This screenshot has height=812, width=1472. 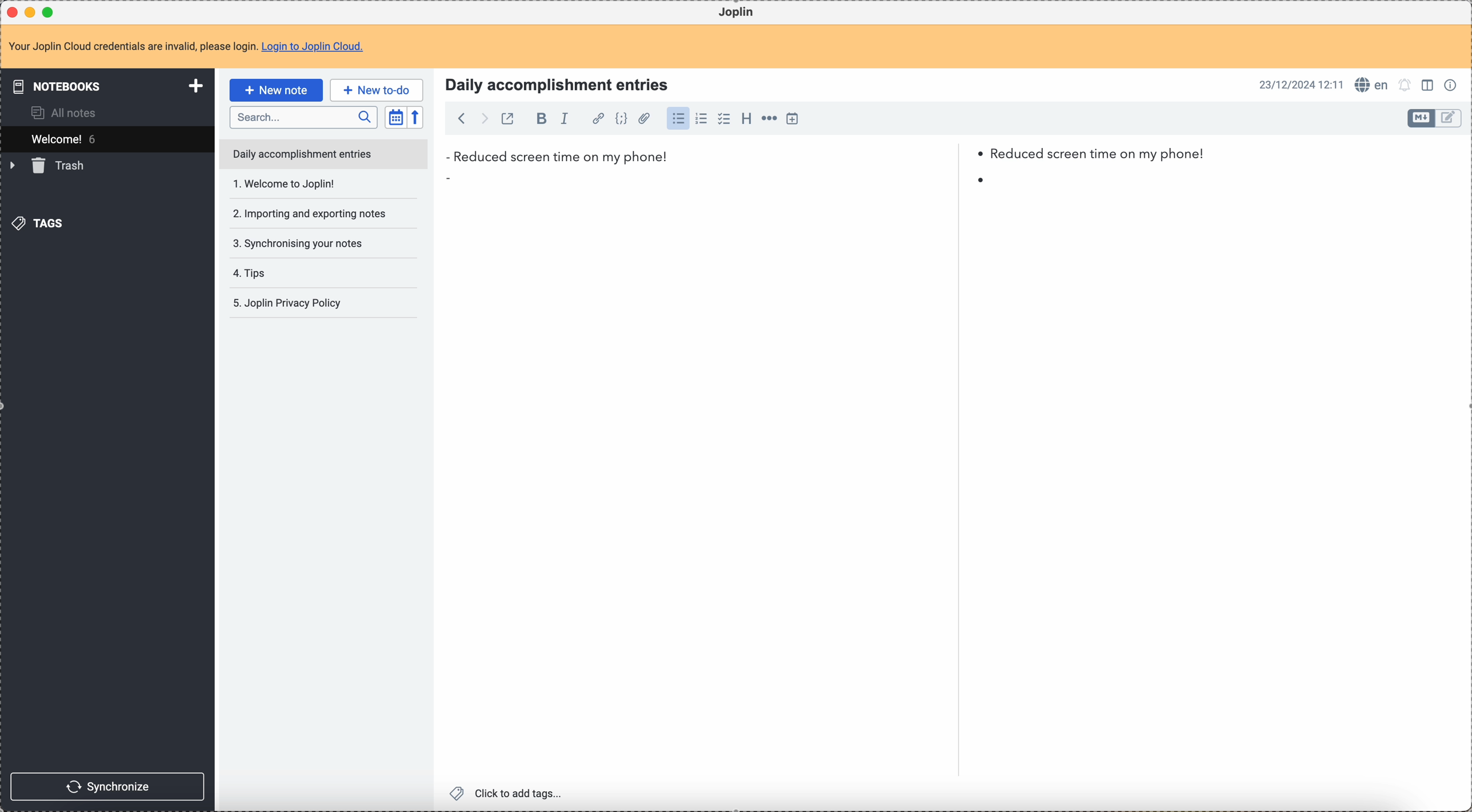 What do you see at coordinates (483, 118) in the screenshot?
I see `foward` at bounding box center [483, 118].